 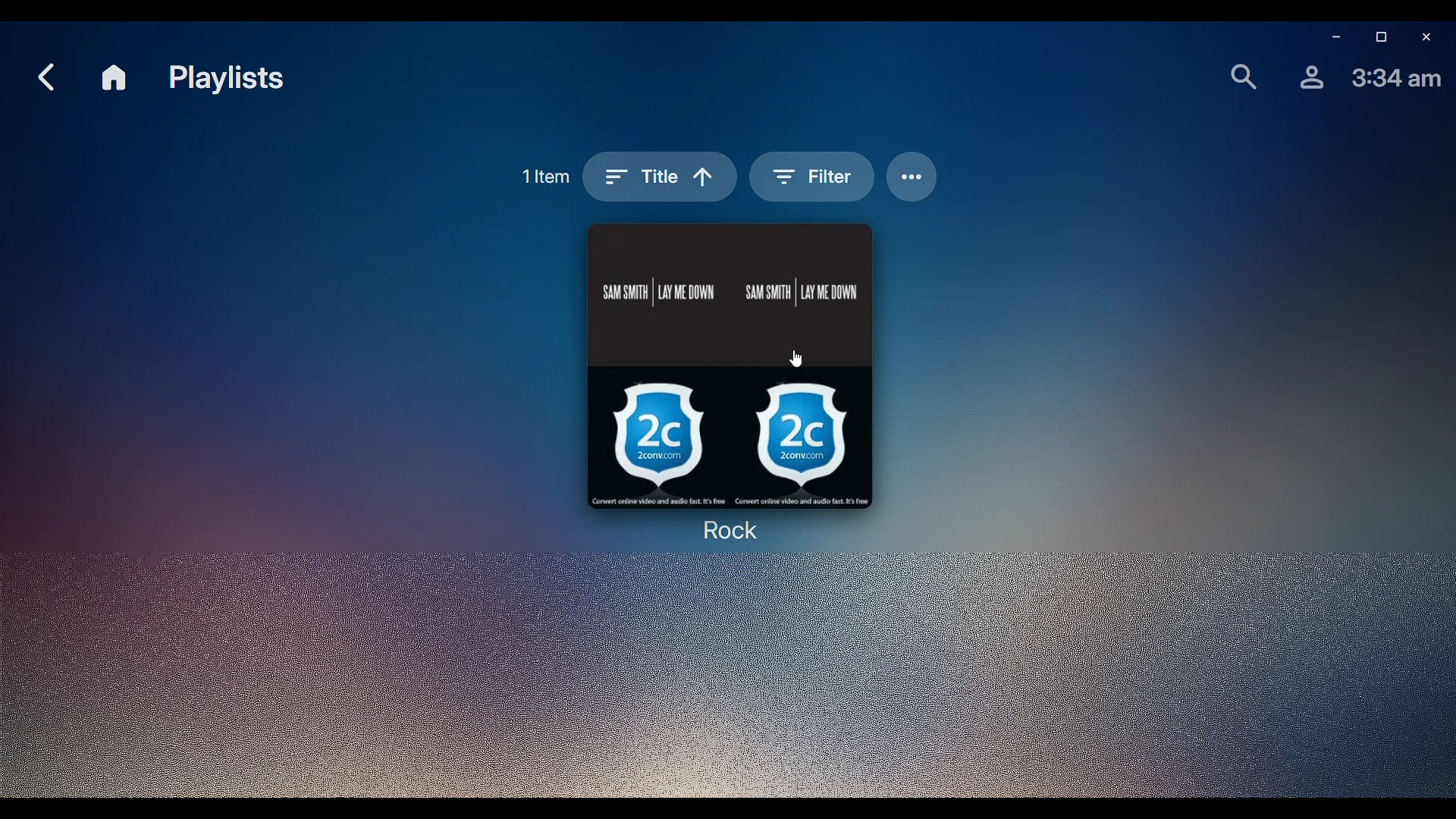 What do you see at coordinates (809, 177) in the screenshot?
I see `Filter` at bounding box center [809, 177].